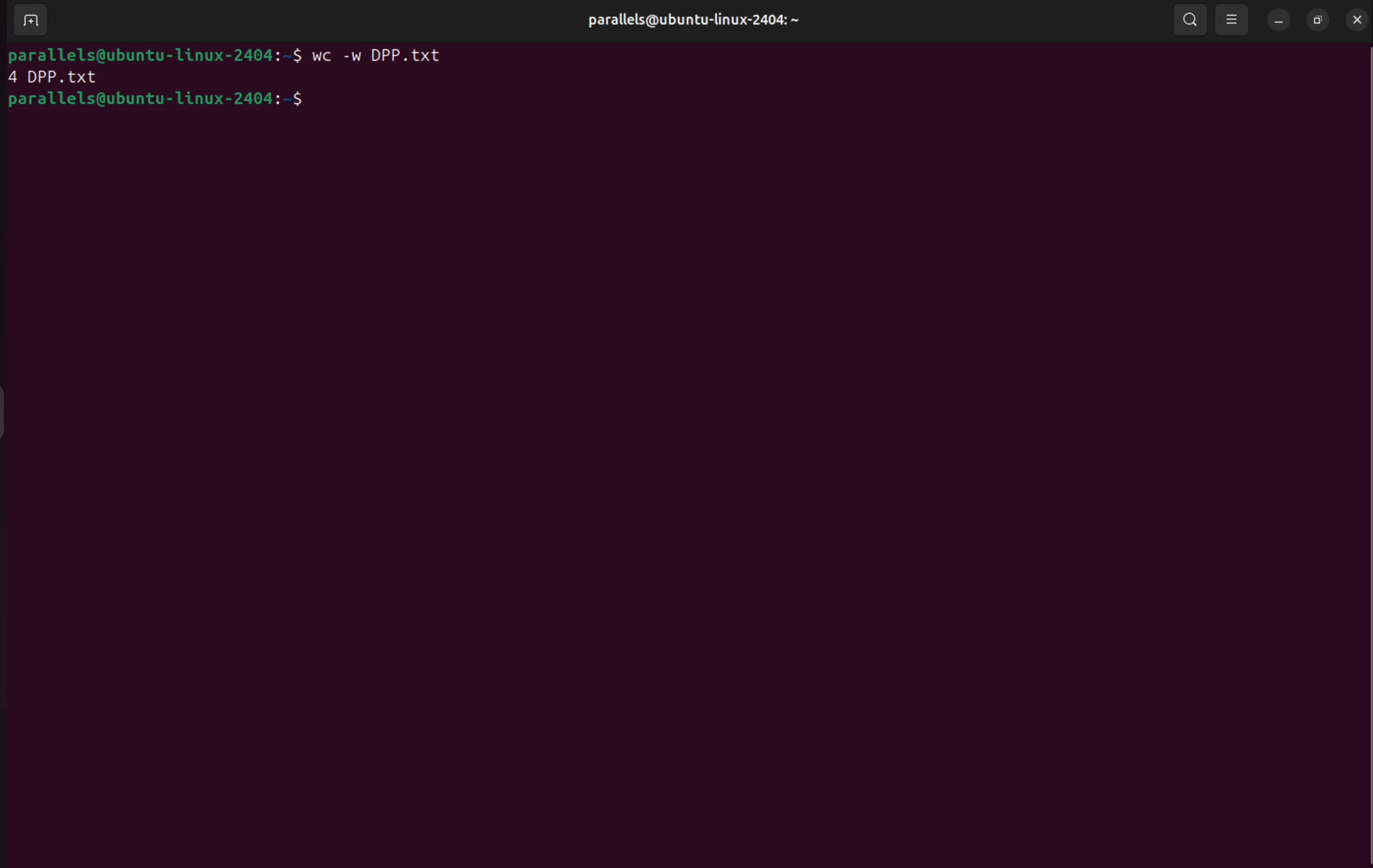 The width and height of the screenshot is (1373, 868). What do you see at coordinates (55, 77) in the screenshot?
I see `4 DPP.txt` at bounding box center [55, 77].